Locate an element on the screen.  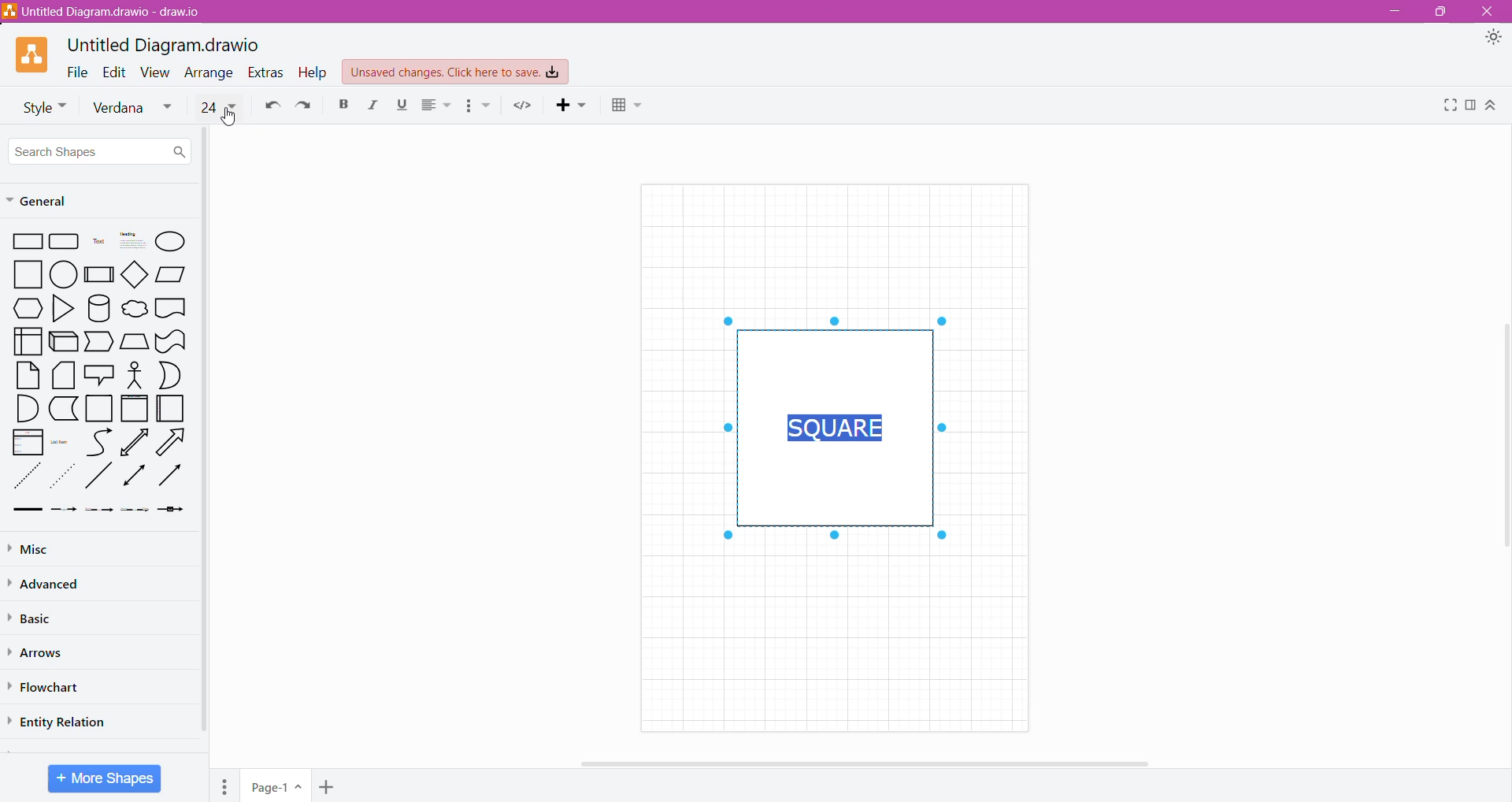
Appearance is located at coordinates (1492, 39).